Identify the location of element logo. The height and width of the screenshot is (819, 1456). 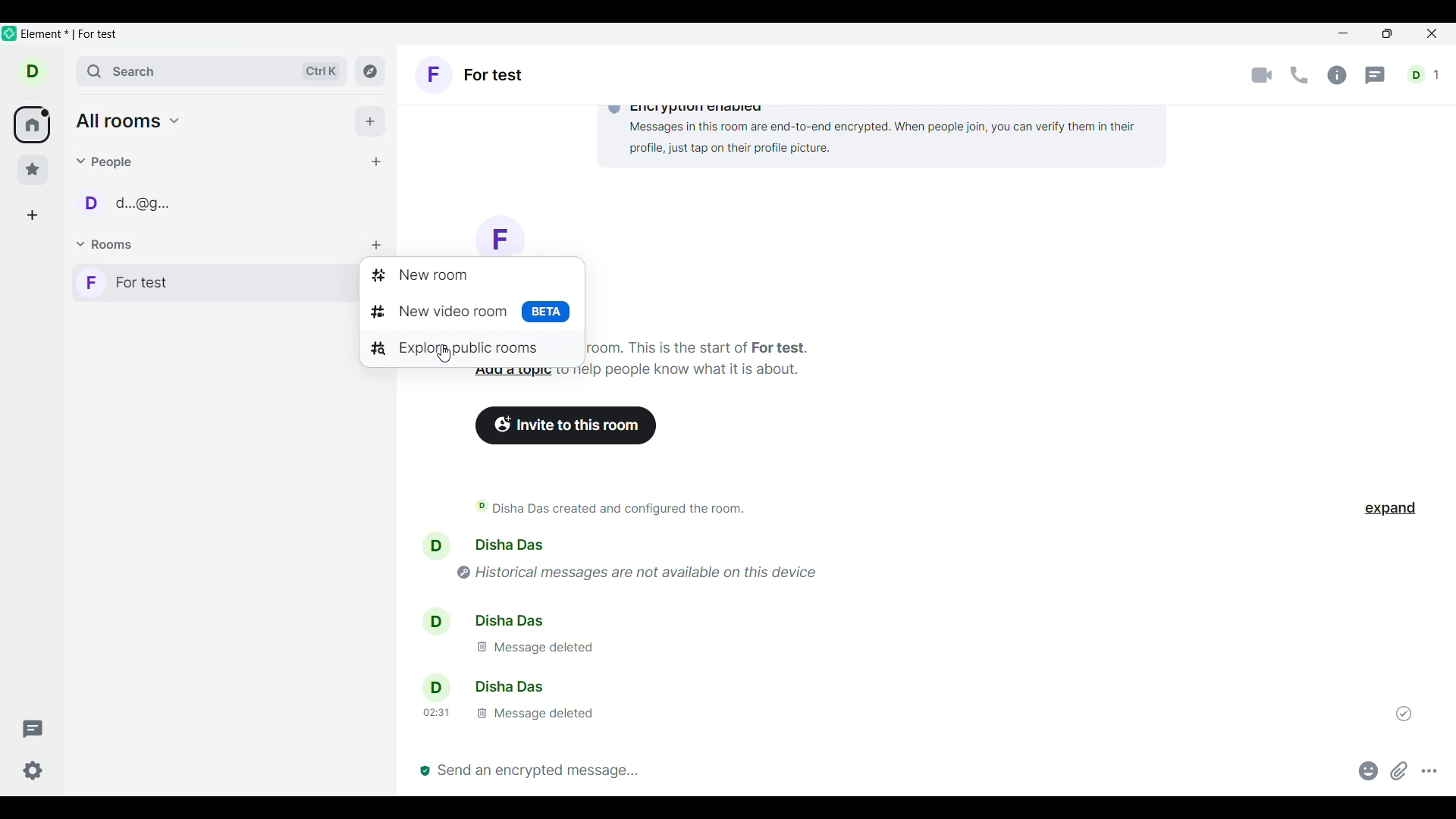
(9, 33).